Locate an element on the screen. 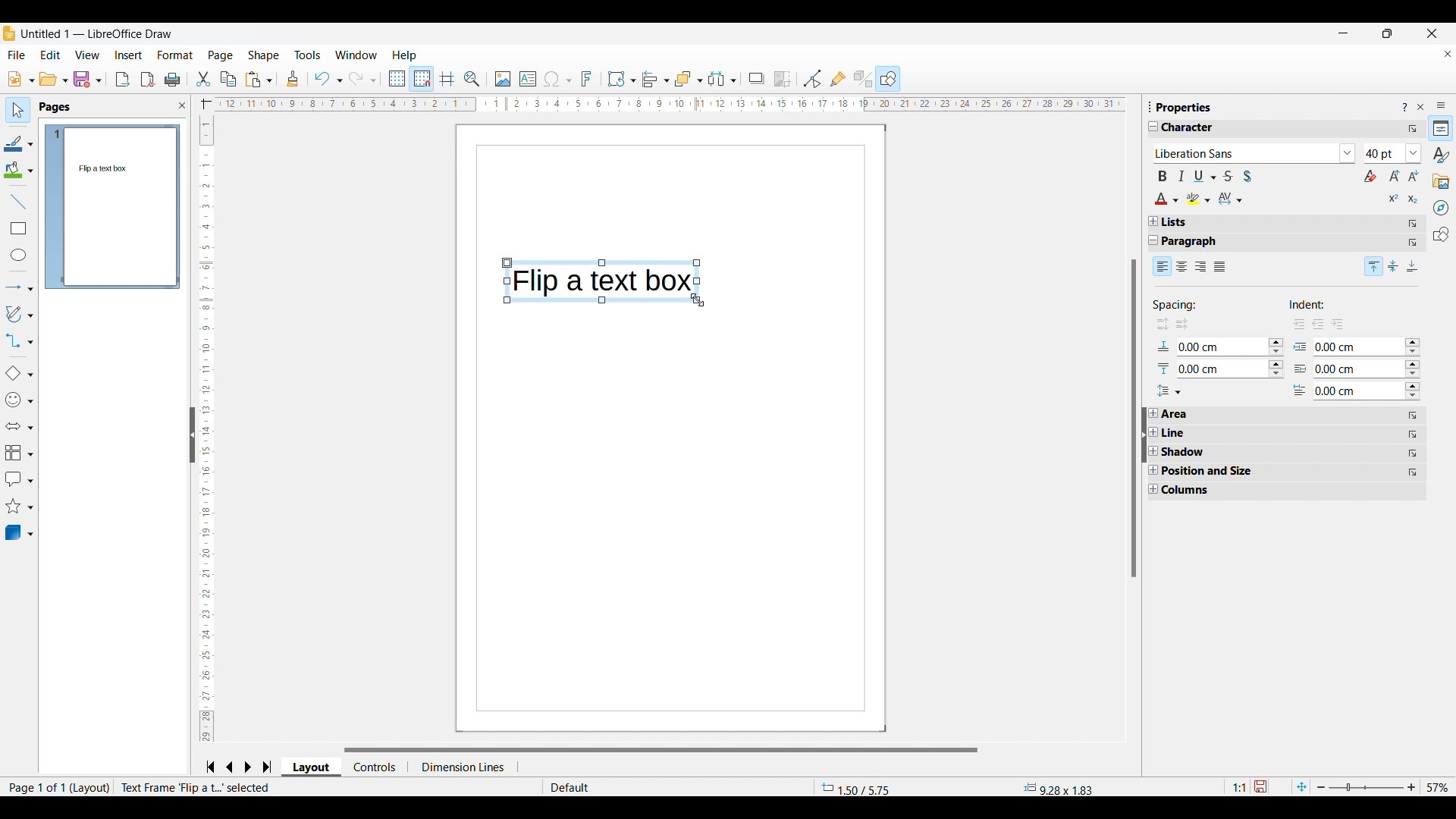  More options for respective sub-title is located at coordinates (1414, 444).